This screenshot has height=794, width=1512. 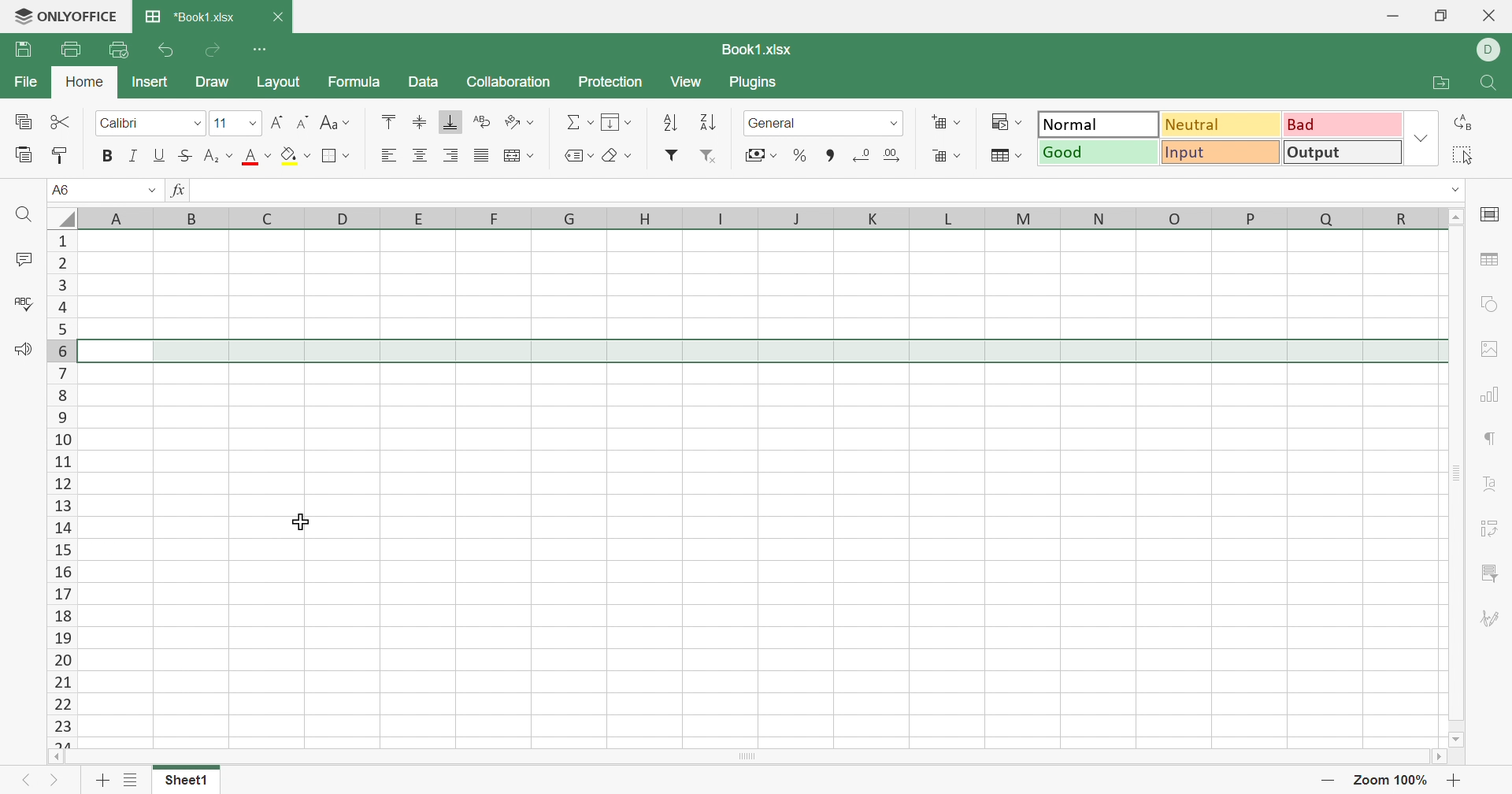 I want to click on Zoom Out, so click(x=1326, y=782).